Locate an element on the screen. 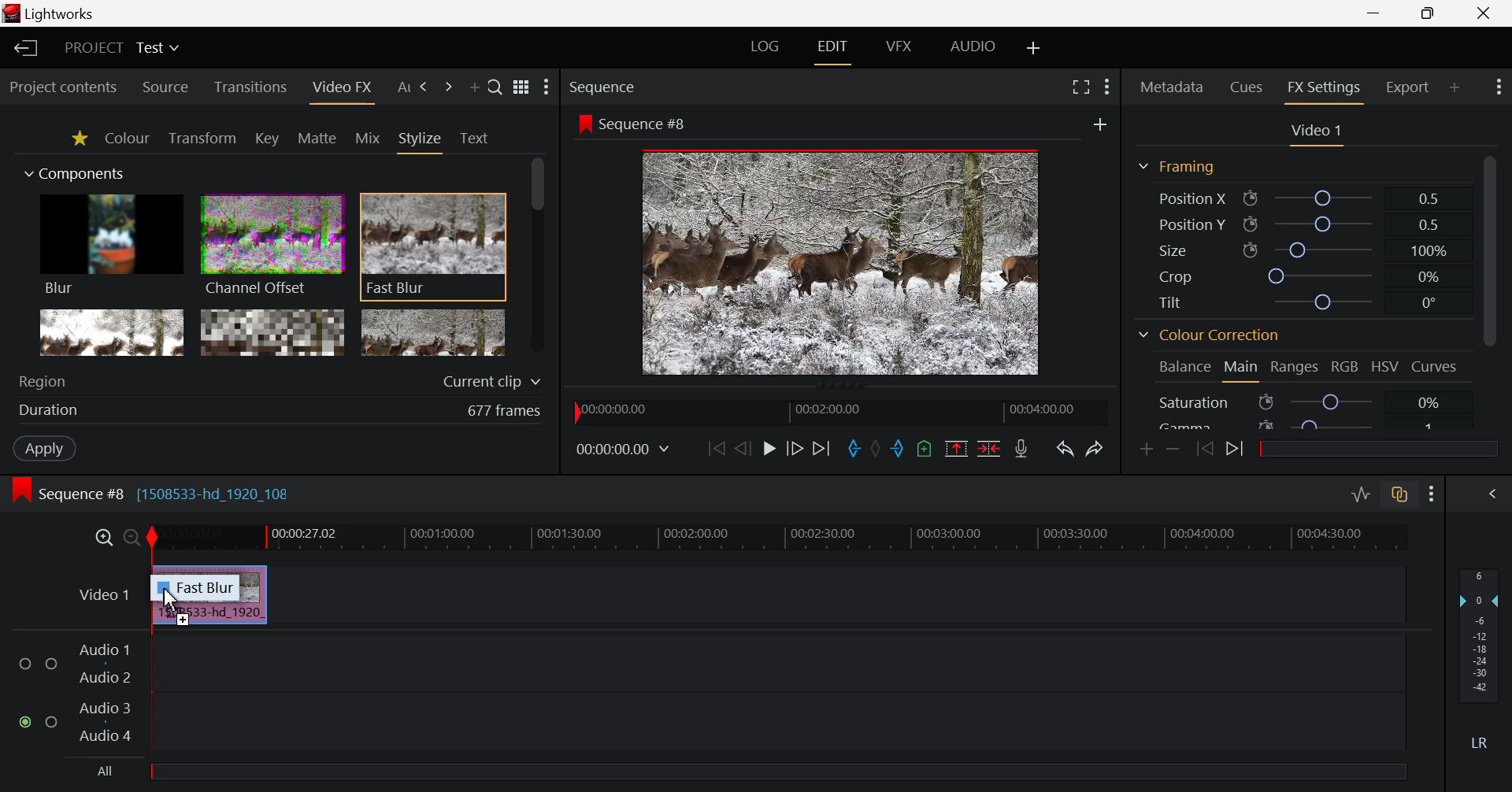 The height and width of the screenshot is (792, 1512). Add Panel is located at coordinates (1455, 87).